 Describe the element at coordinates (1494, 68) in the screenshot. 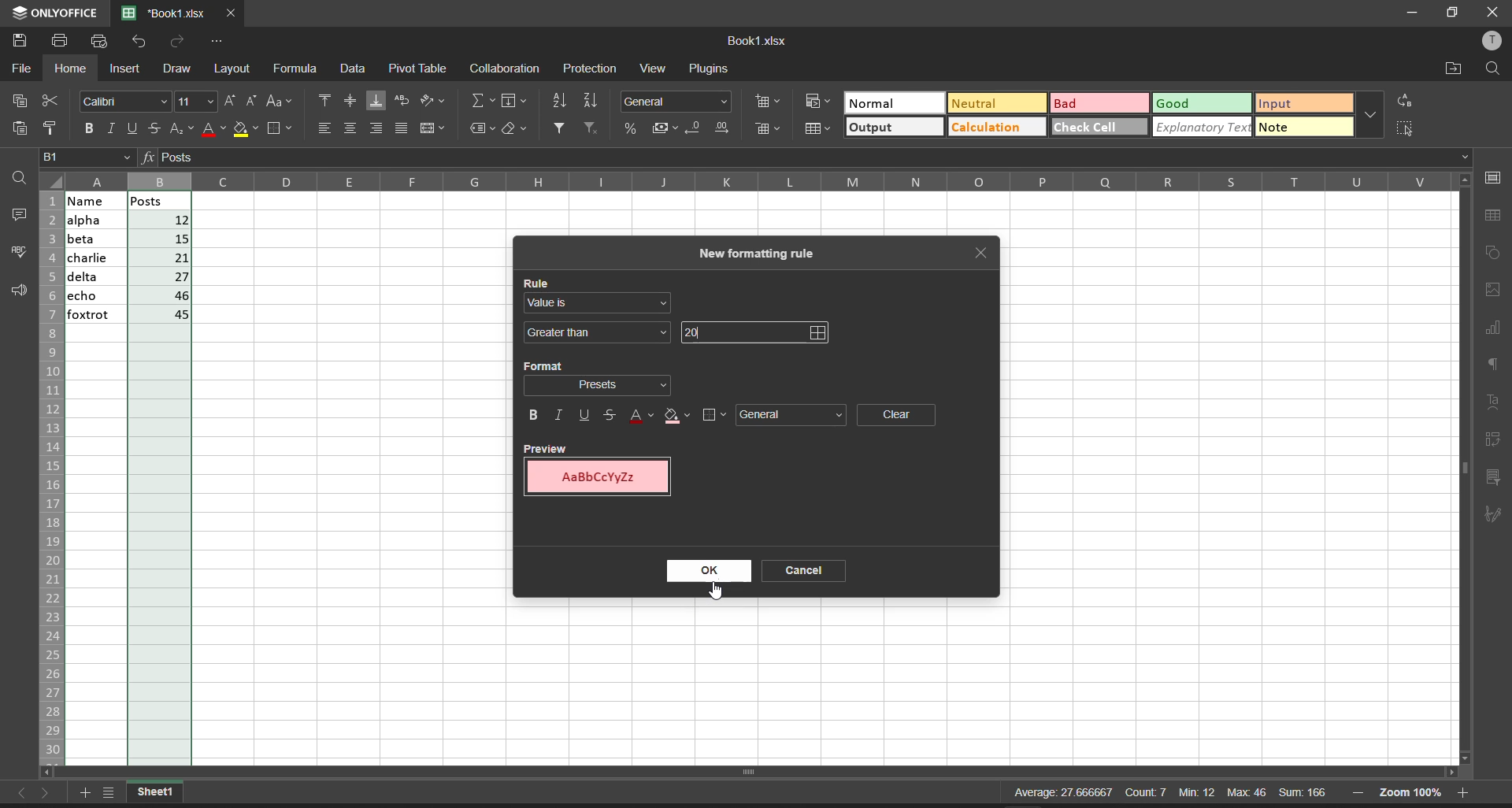

I see `find` at that location.